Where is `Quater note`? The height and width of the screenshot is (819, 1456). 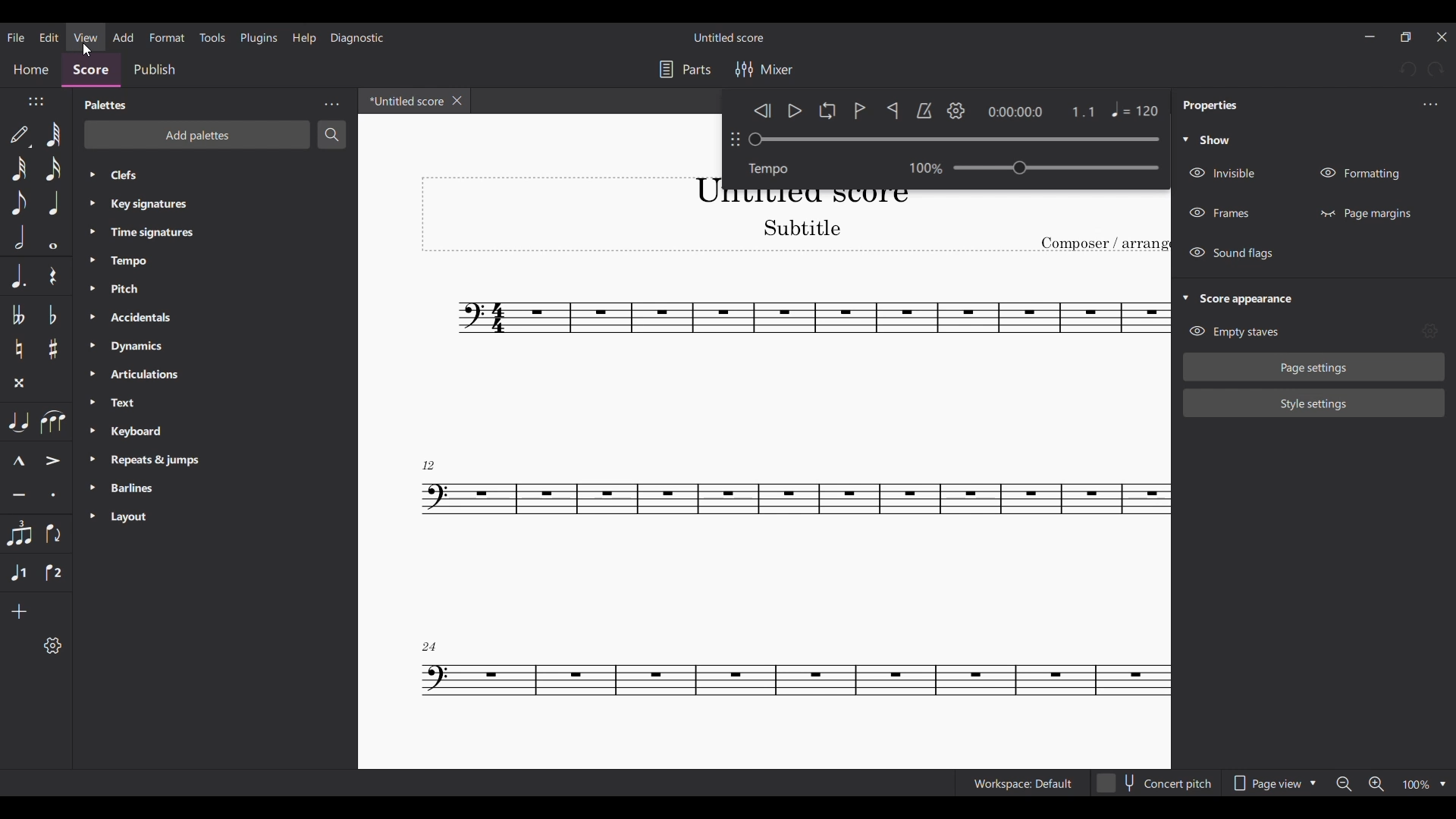 Quater note is located at coordinates (54, 202).